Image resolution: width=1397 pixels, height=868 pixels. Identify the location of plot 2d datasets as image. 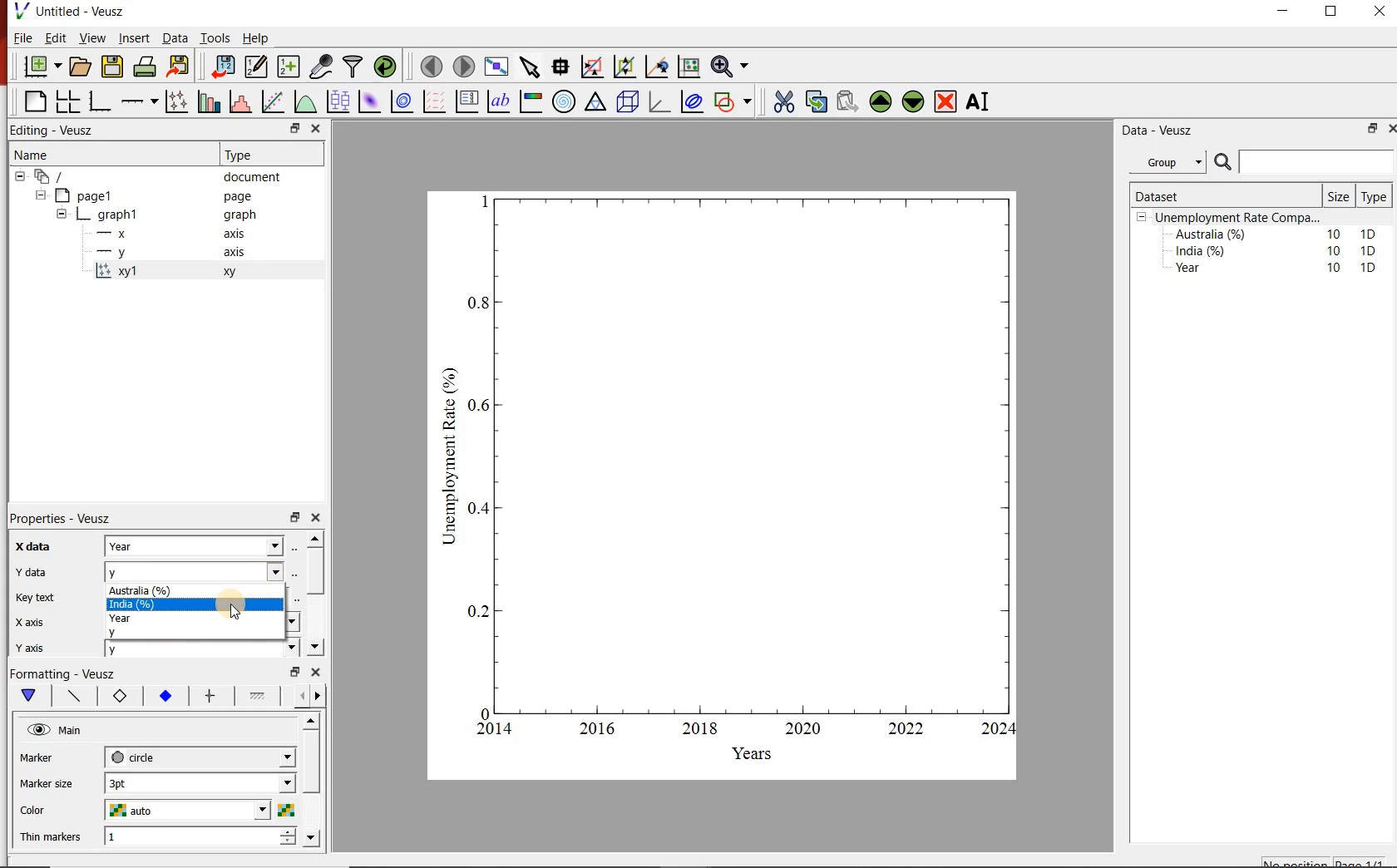
(369, 101).